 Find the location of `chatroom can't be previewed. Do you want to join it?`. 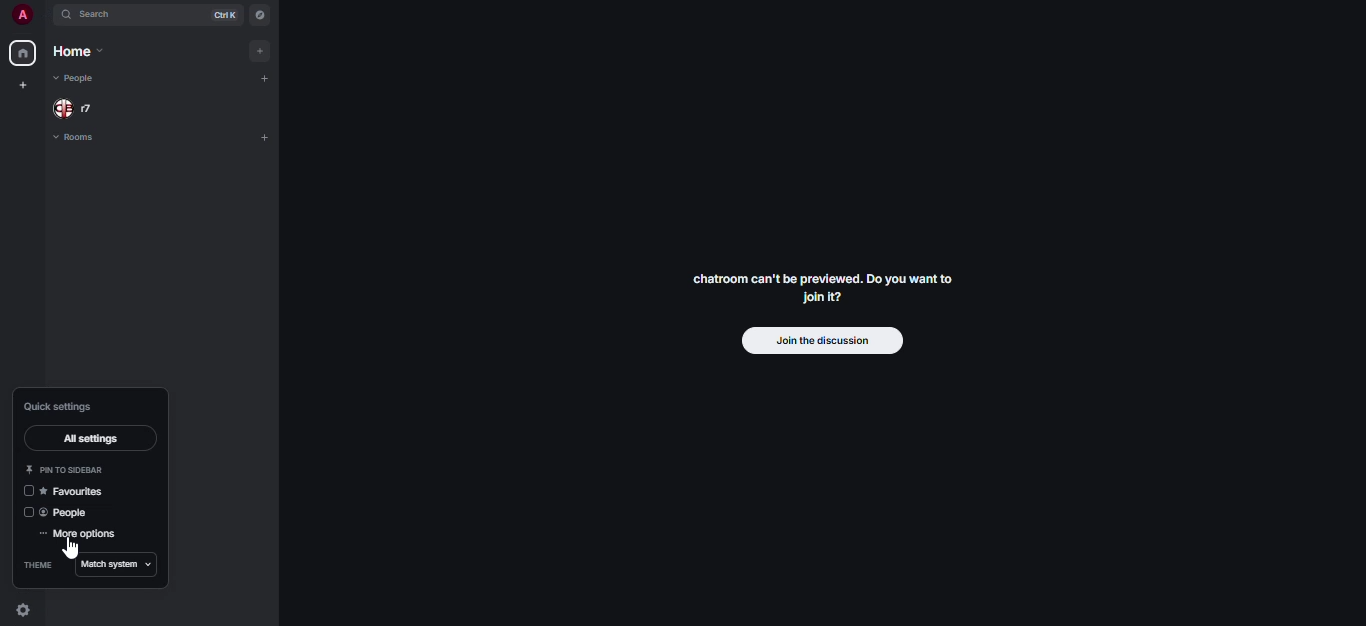

chatroom can't be previewed. Do you want to join it? is located at coordinates (817, 286).